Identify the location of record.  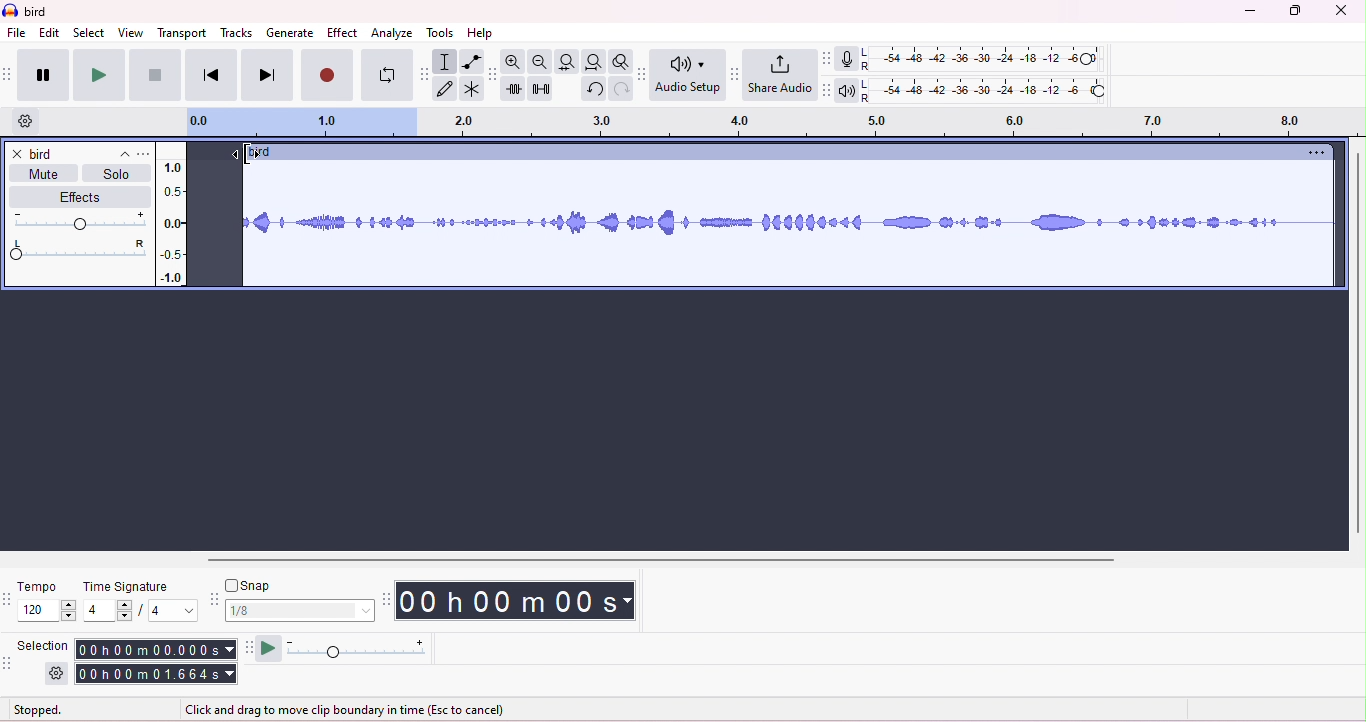
(327, 77).